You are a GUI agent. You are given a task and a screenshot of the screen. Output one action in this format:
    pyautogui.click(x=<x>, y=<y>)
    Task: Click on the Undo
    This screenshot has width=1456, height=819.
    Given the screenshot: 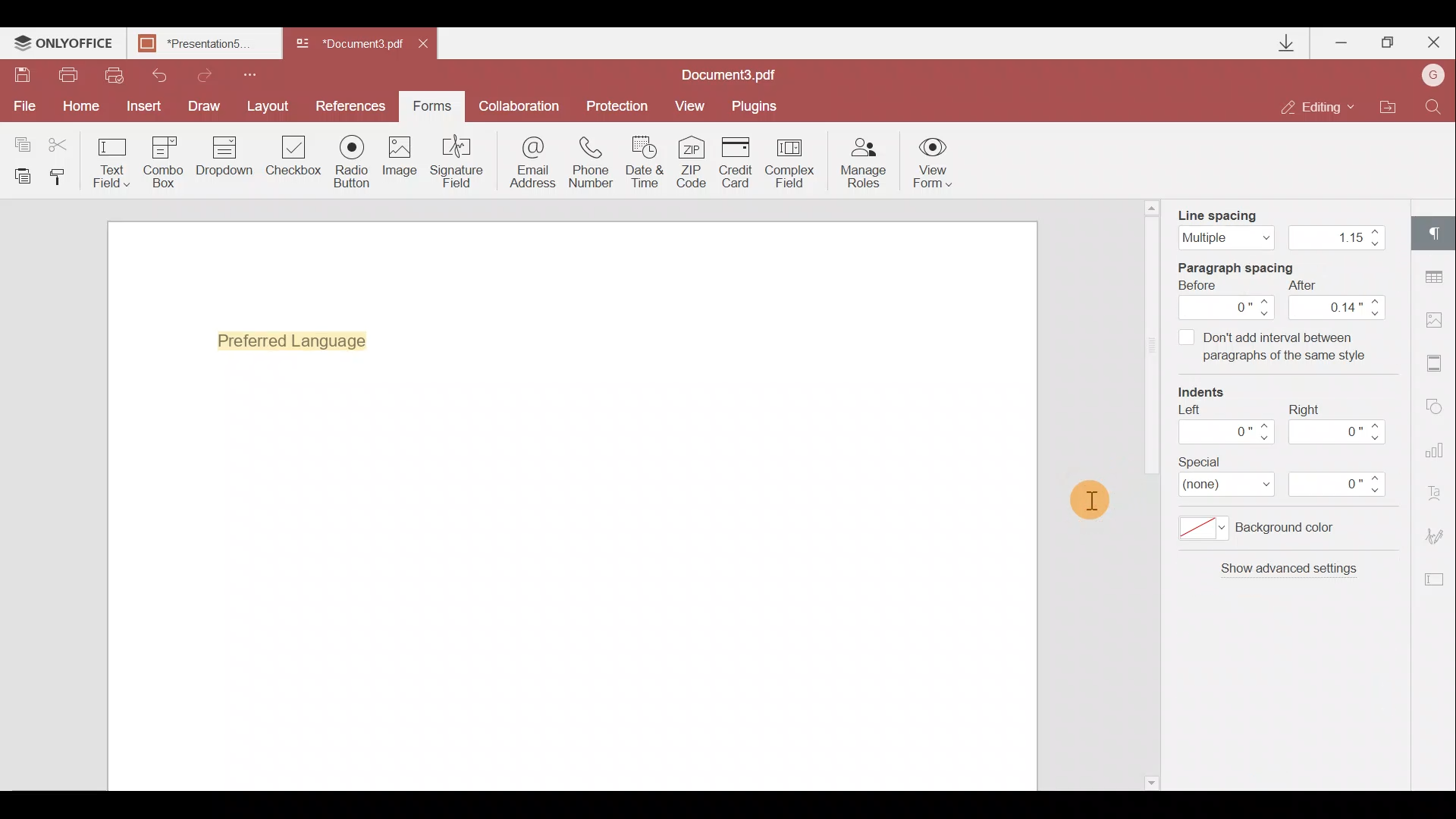 What is the action you would take?
    pyautogui.click(x=153, y=73)
    